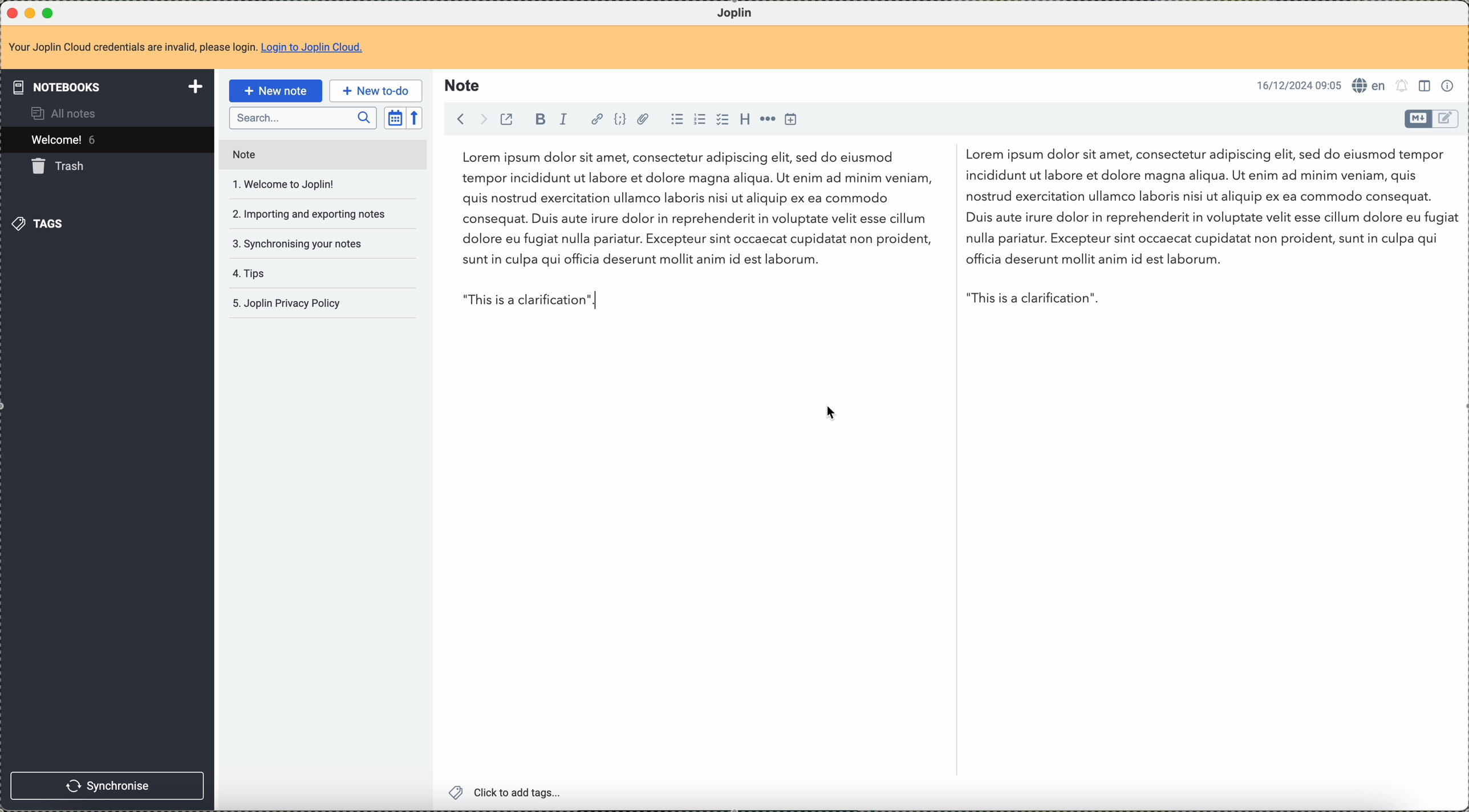  What do you see at coordinates (1192, 300) in the screenshot?
I see `"This is a clarification".` at bounding box center [1192, 300].